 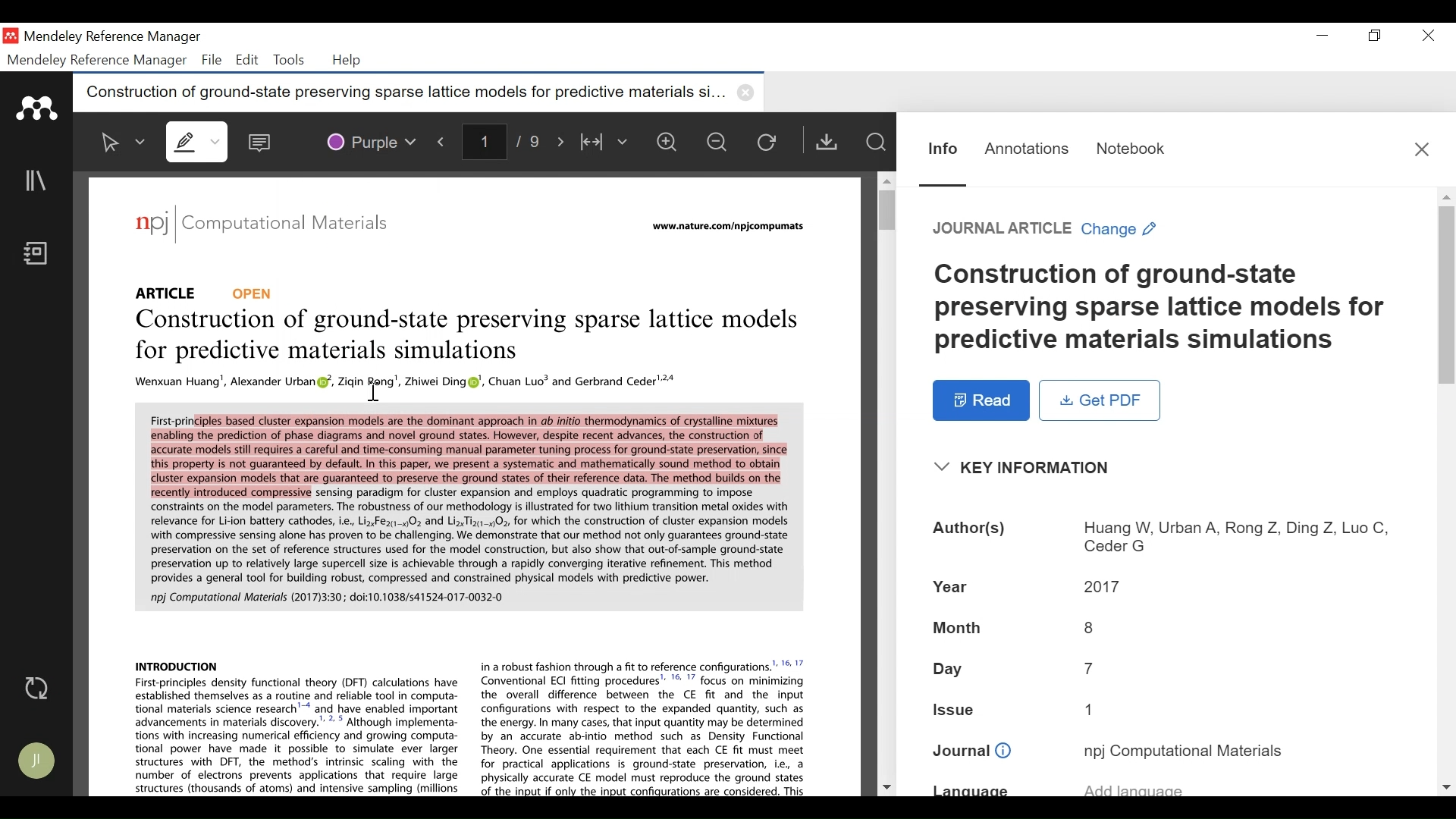 What do you see at coordinates (982, 401) in the screenshot?
I see `Read` at bounding box center [982, 401].